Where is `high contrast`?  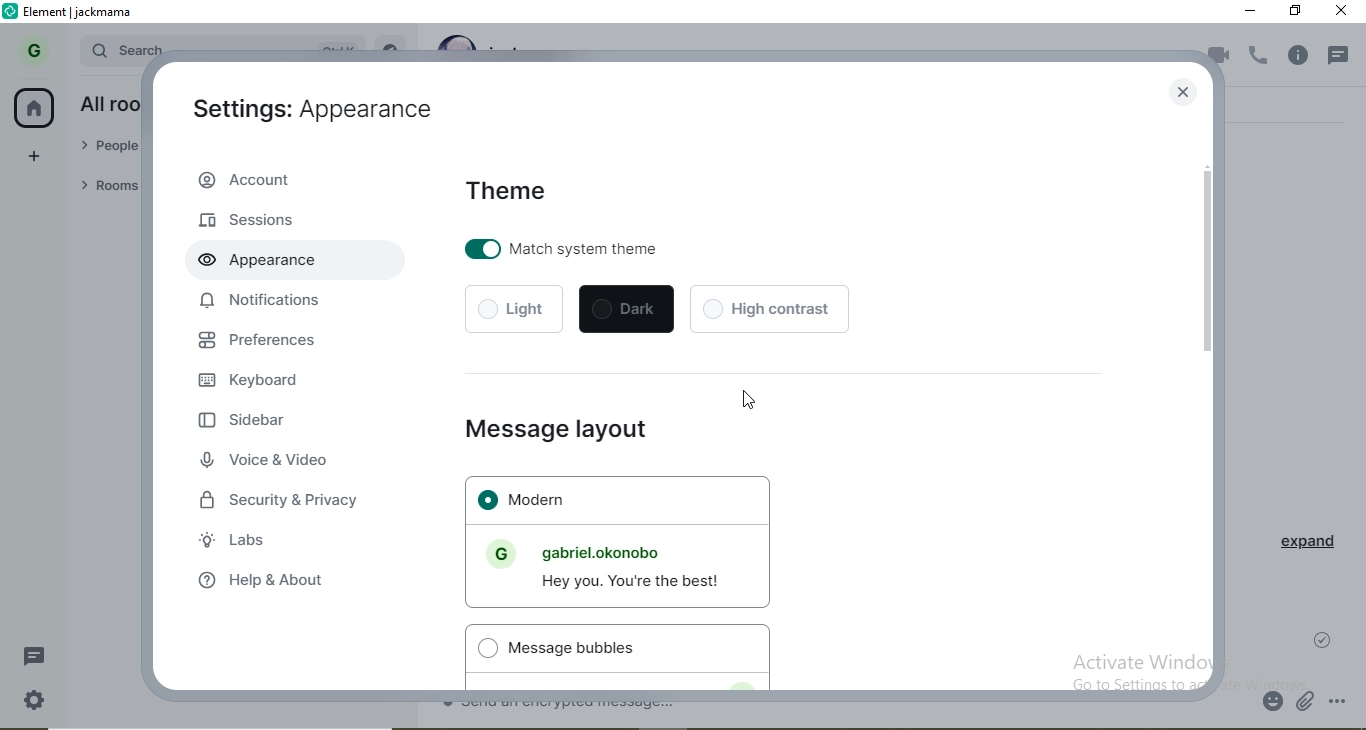 high contrast is located at coordinates (768, 308).